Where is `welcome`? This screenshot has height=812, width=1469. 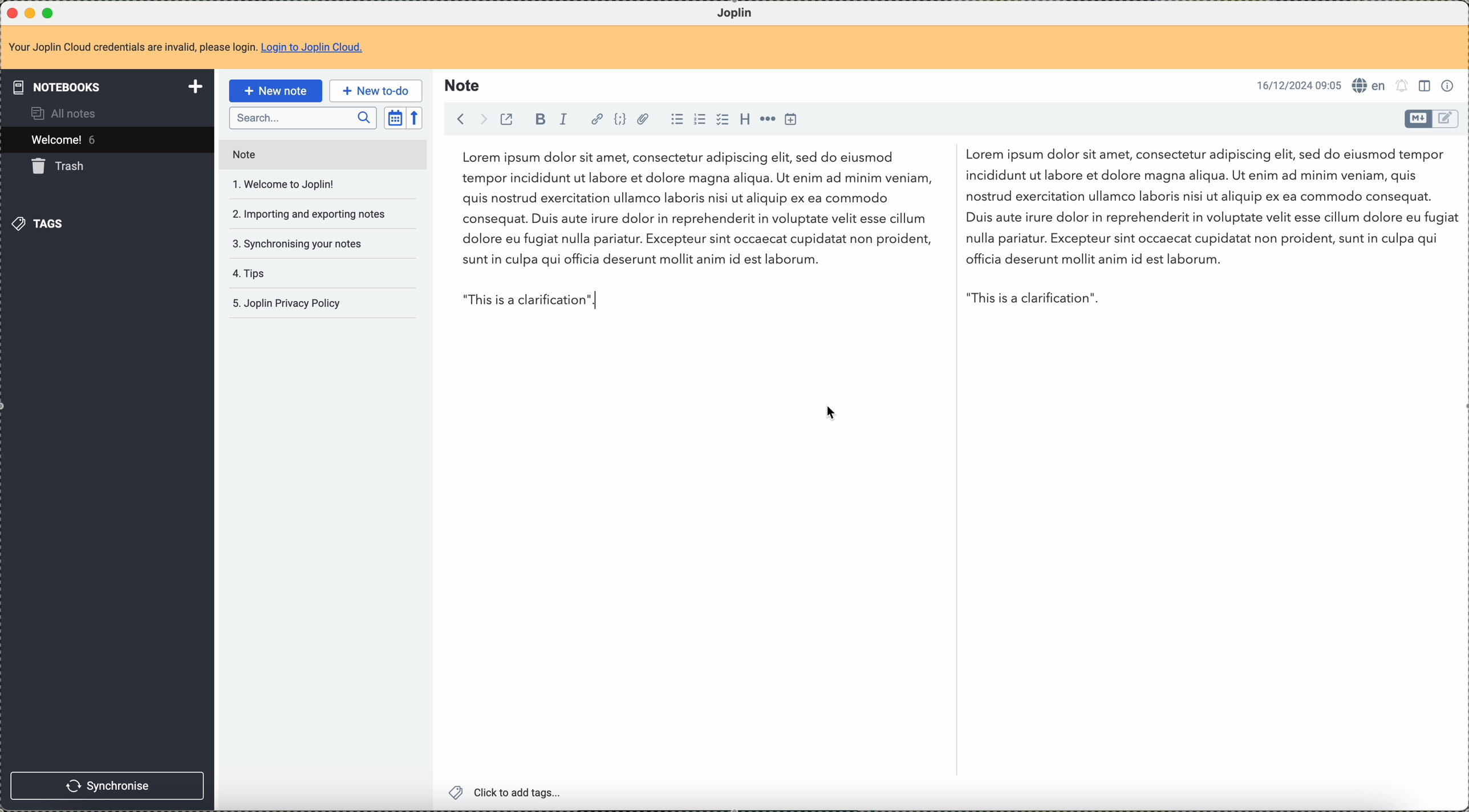 welcome is located at coordinates (105, 140).